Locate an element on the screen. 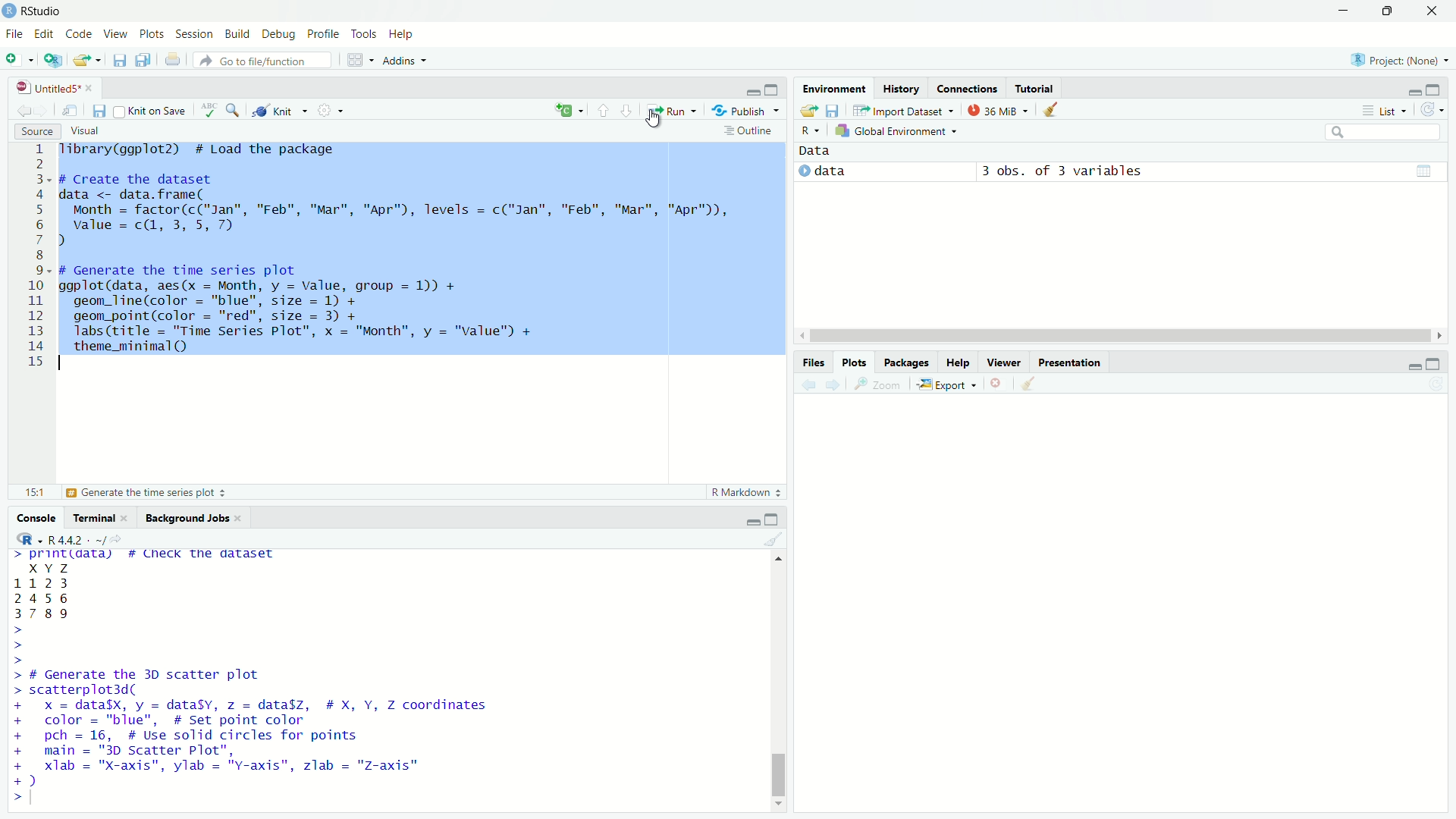 The height and width of the screenshot is (819, 1456). viewer is located at coordinates (1004, 359).